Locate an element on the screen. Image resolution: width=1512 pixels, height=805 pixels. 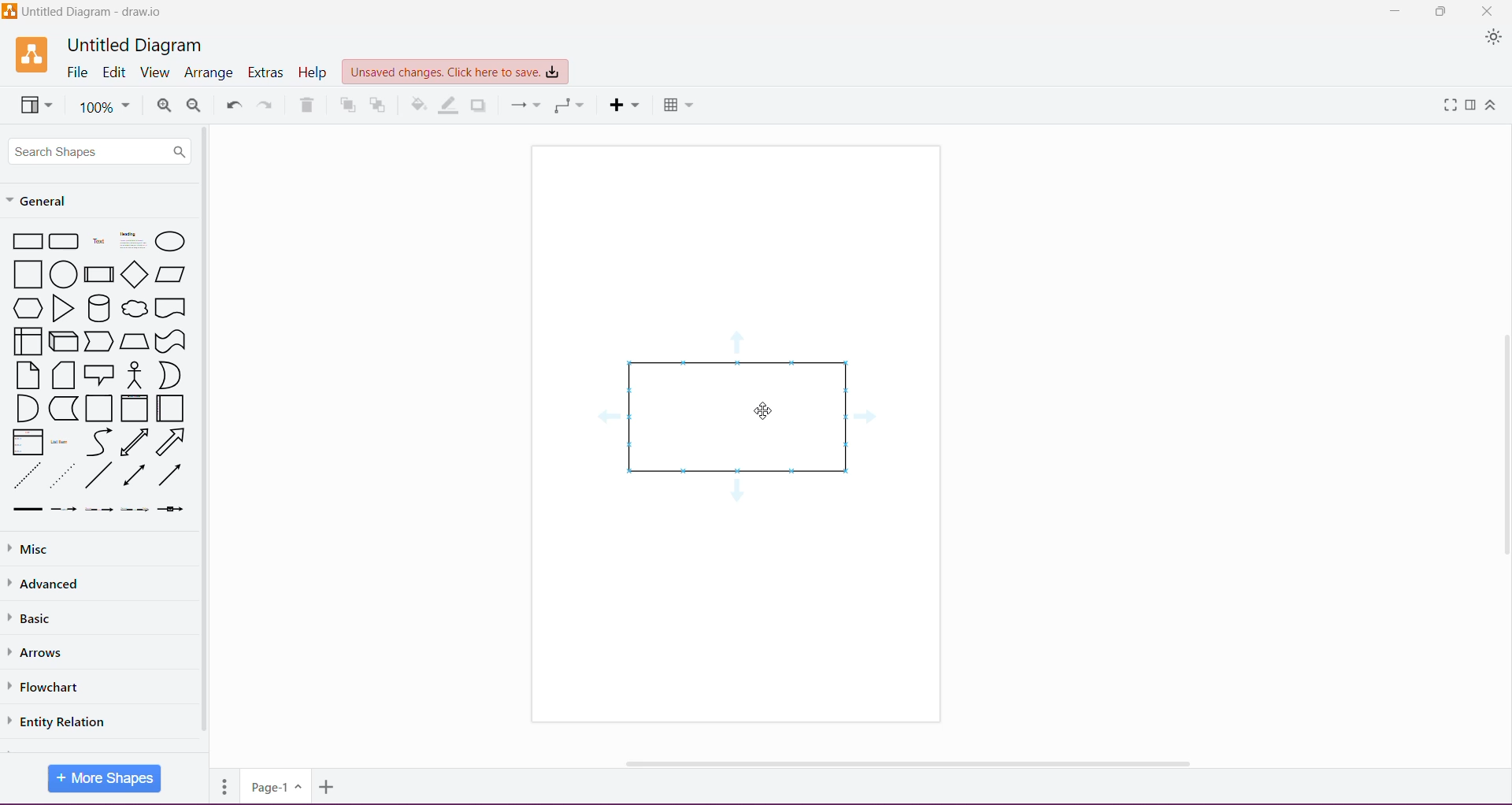
Waypoints is located at coordinates (569, 106).